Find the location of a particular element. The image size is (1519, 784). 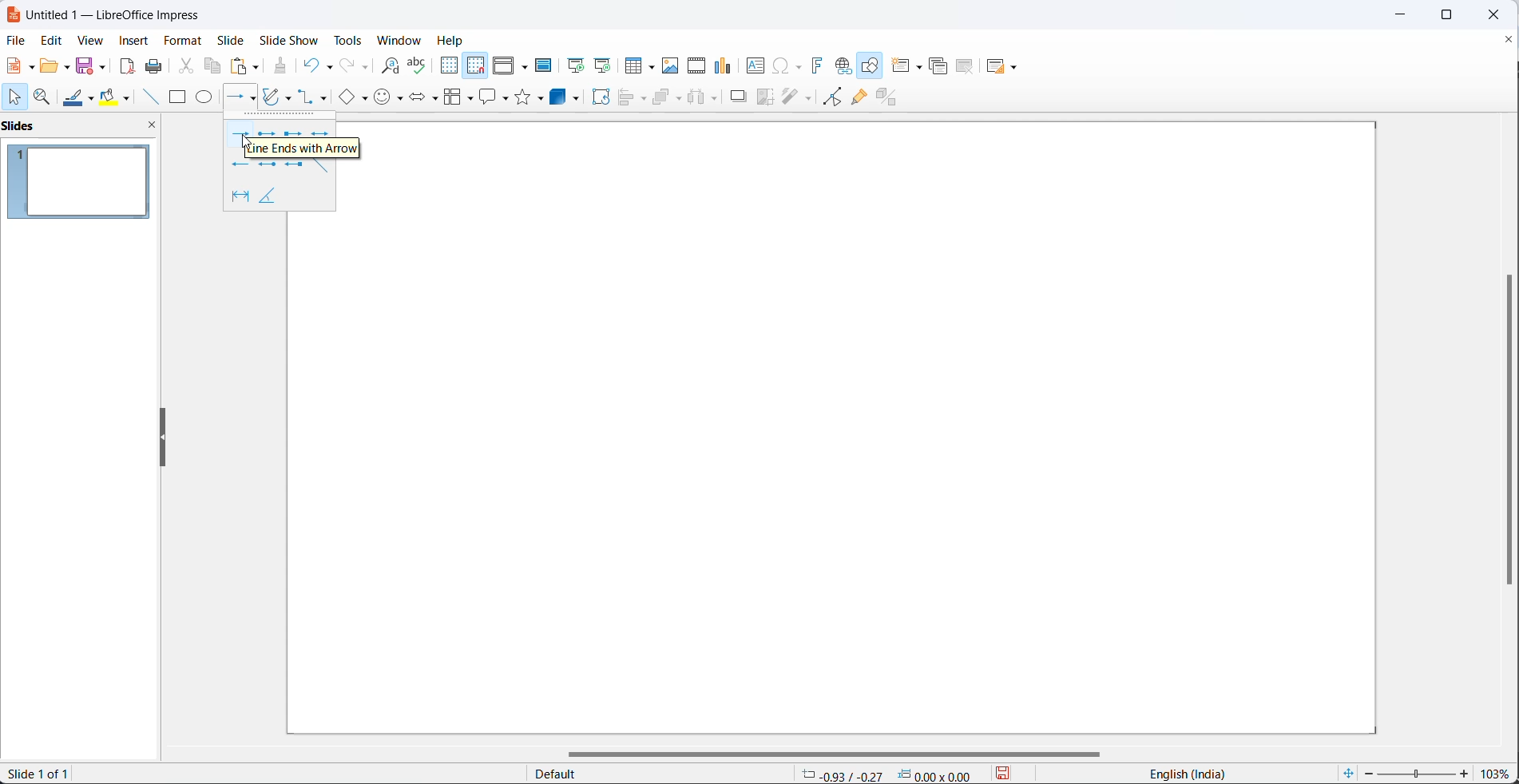

zoom and pan is located at coordinates (43, 97).